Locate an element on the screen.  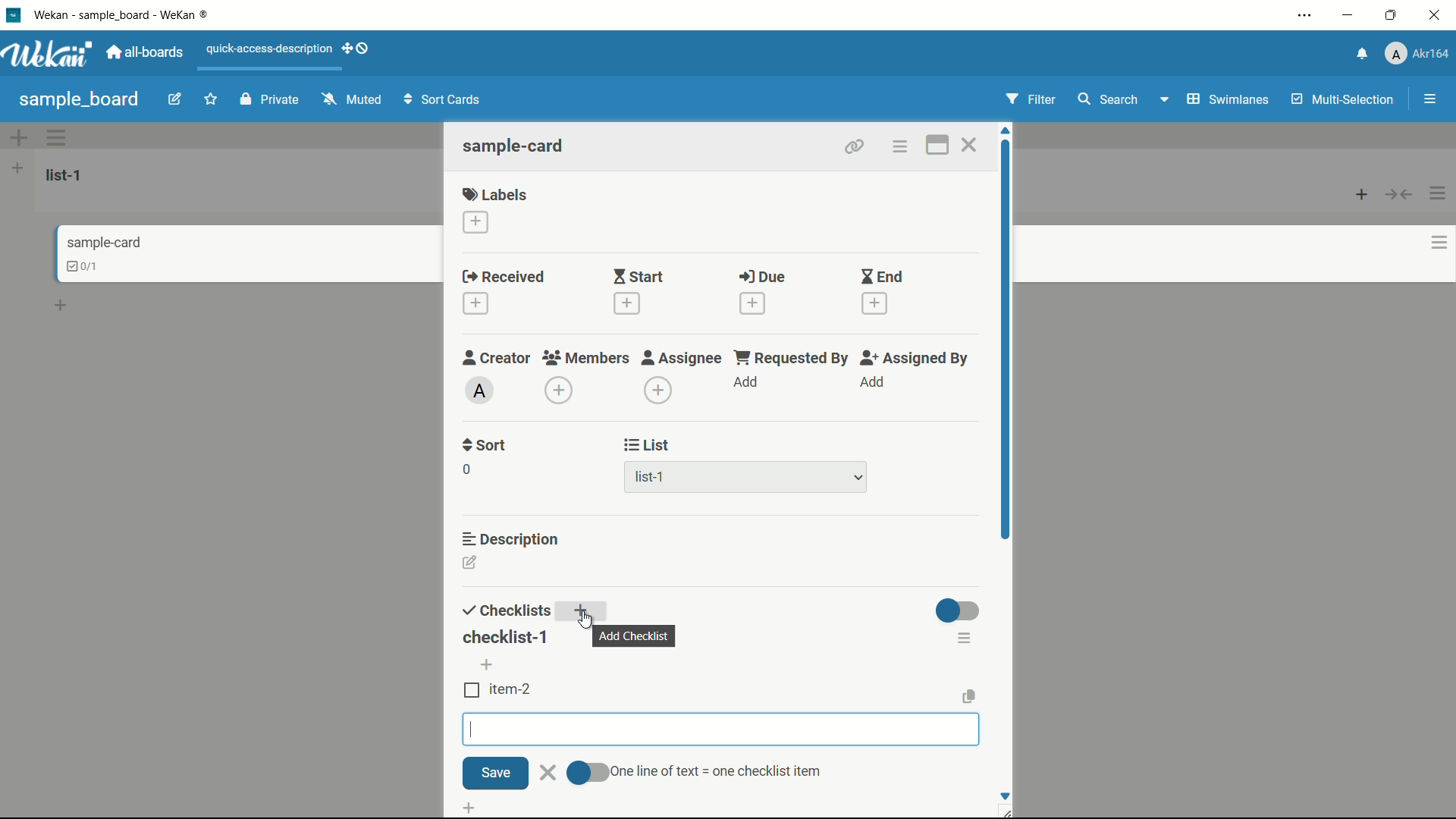
add label is located at coordinates (477, 223).